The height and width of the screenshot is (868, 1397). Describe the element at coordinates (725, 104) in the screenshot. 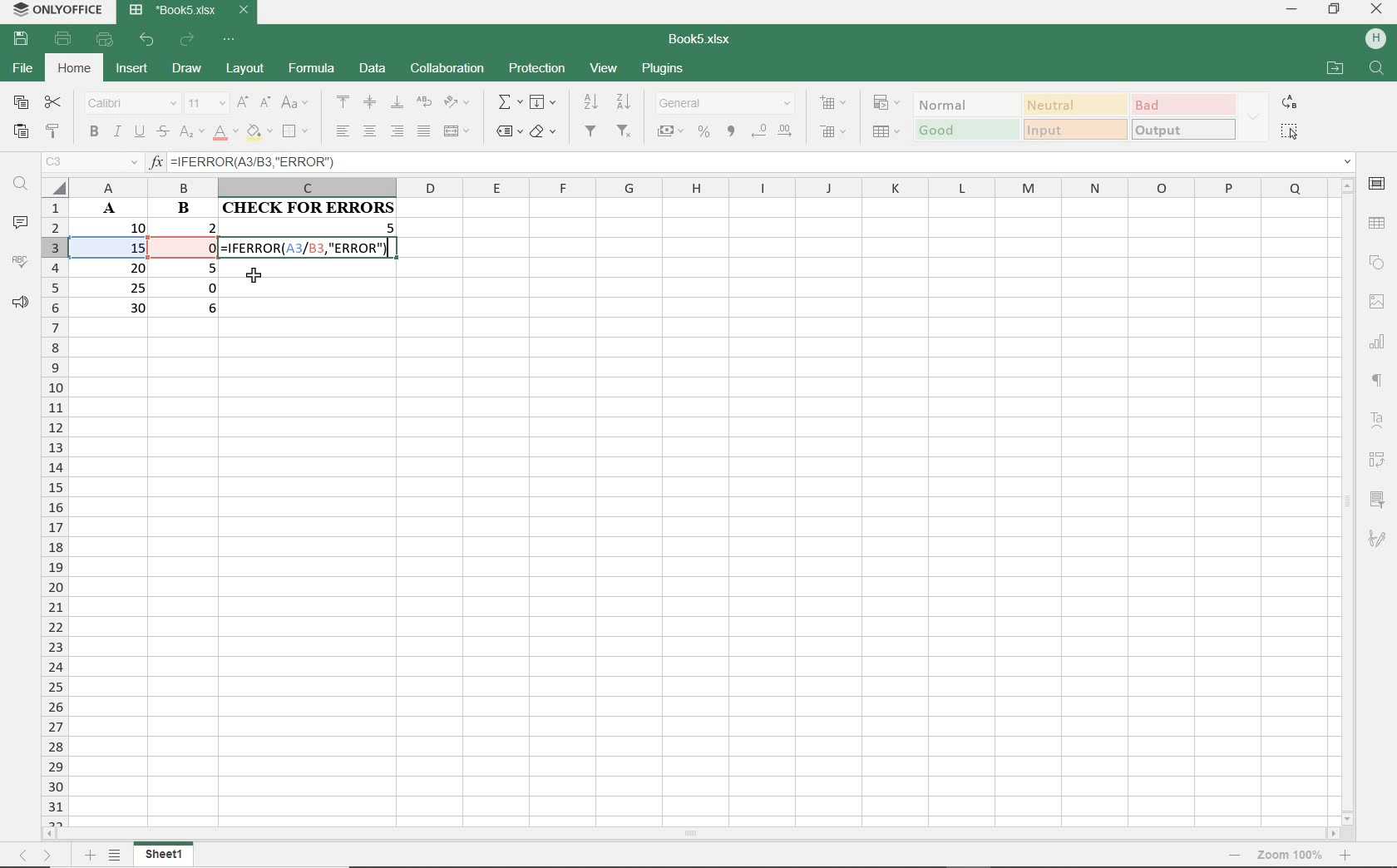

I see `NUMBER FORMAT` at that location.